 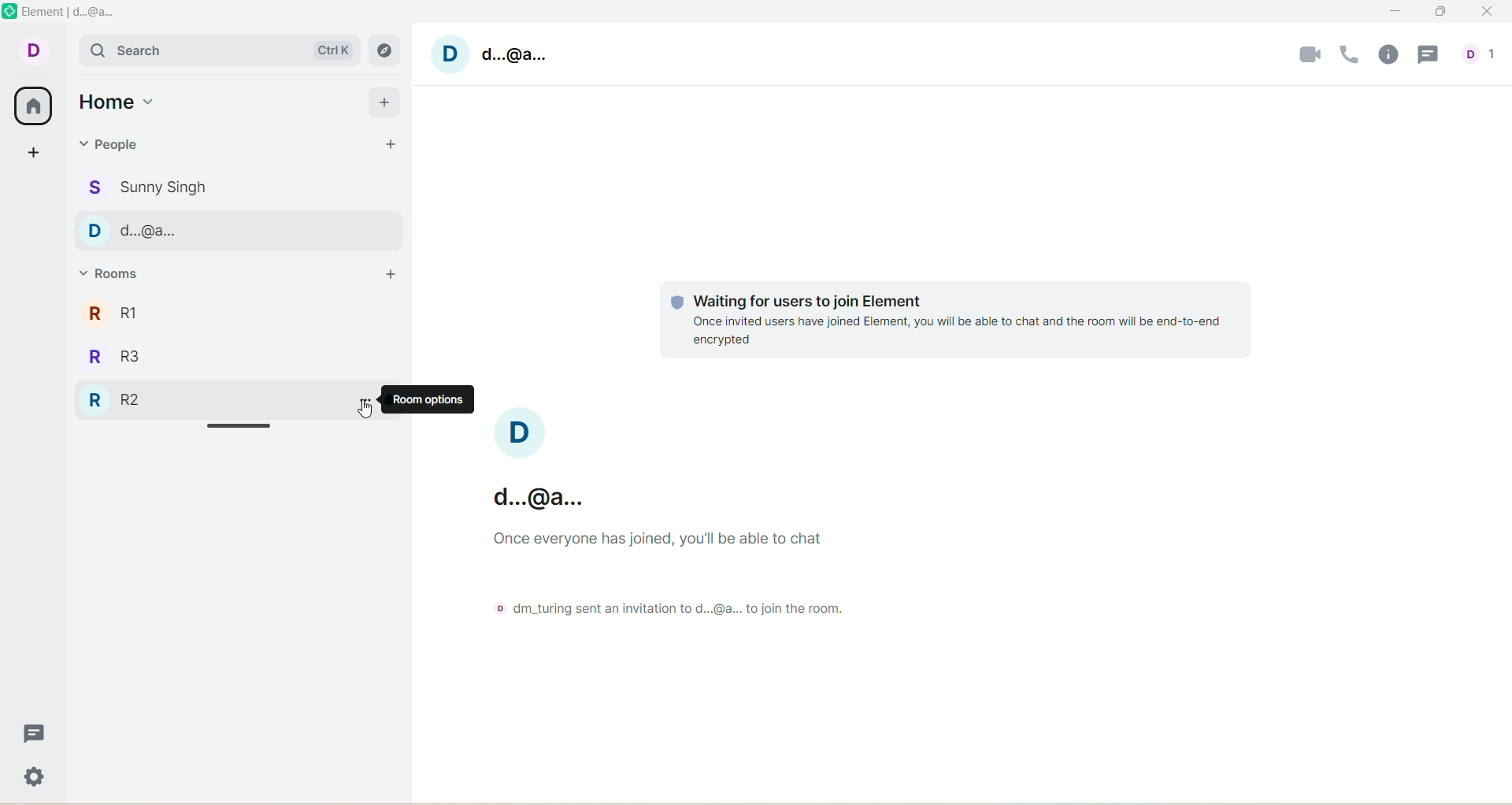 I want to click on settings, so click(x=35, y=779).